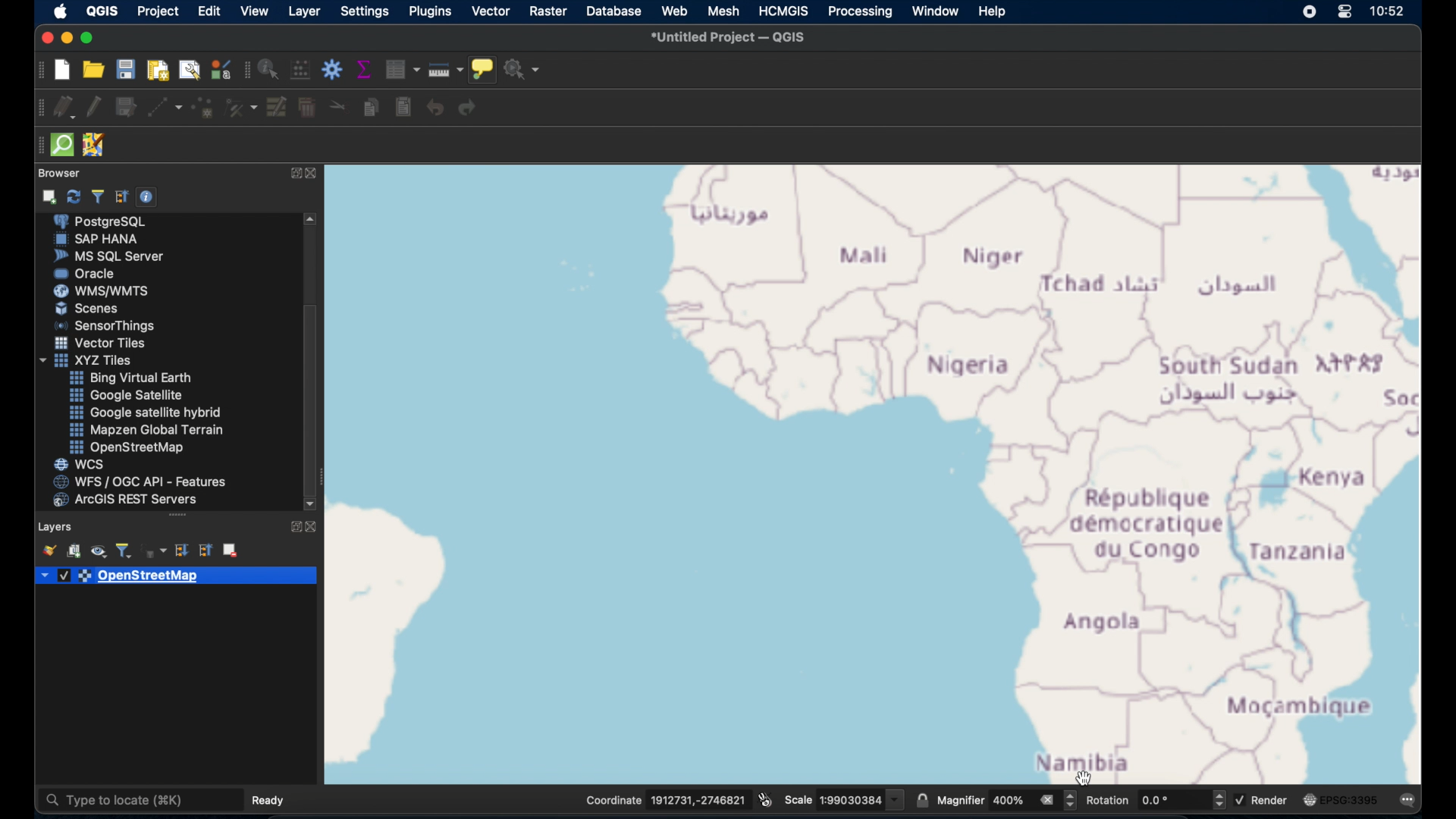 This screenshot has height=819, width=1456. What do you see at coordinates (133, 448) in the screenshot?
I see `openstreetmap` at bounding box center [133, 448].